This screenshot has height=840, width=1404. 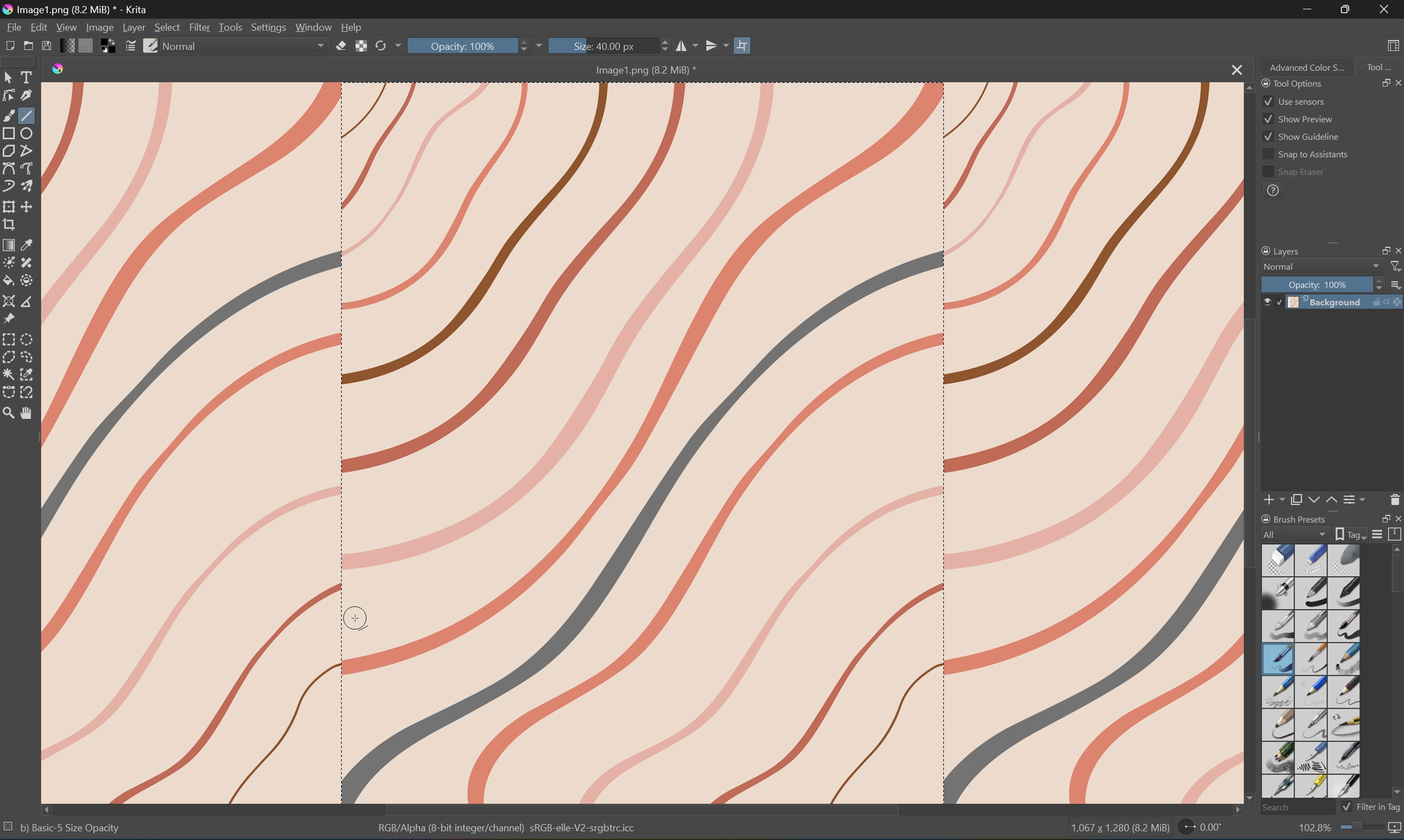 What do you see at coordinates (362, 48) in the screenshot?
I see `Preserve alpha` at bounding box center [362, 48].